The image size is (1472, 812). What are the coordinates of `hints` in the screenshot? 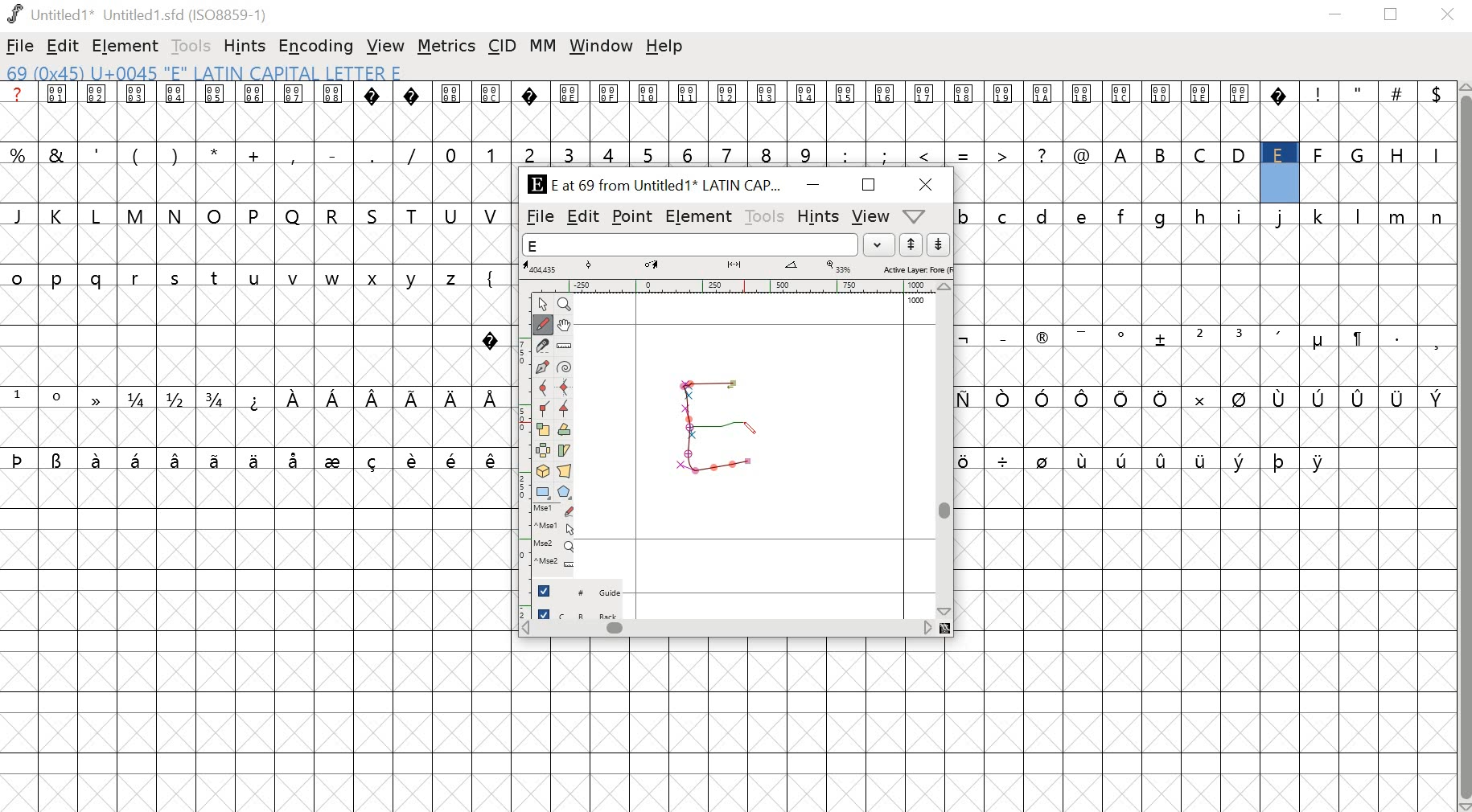 It's located at (245, 47).